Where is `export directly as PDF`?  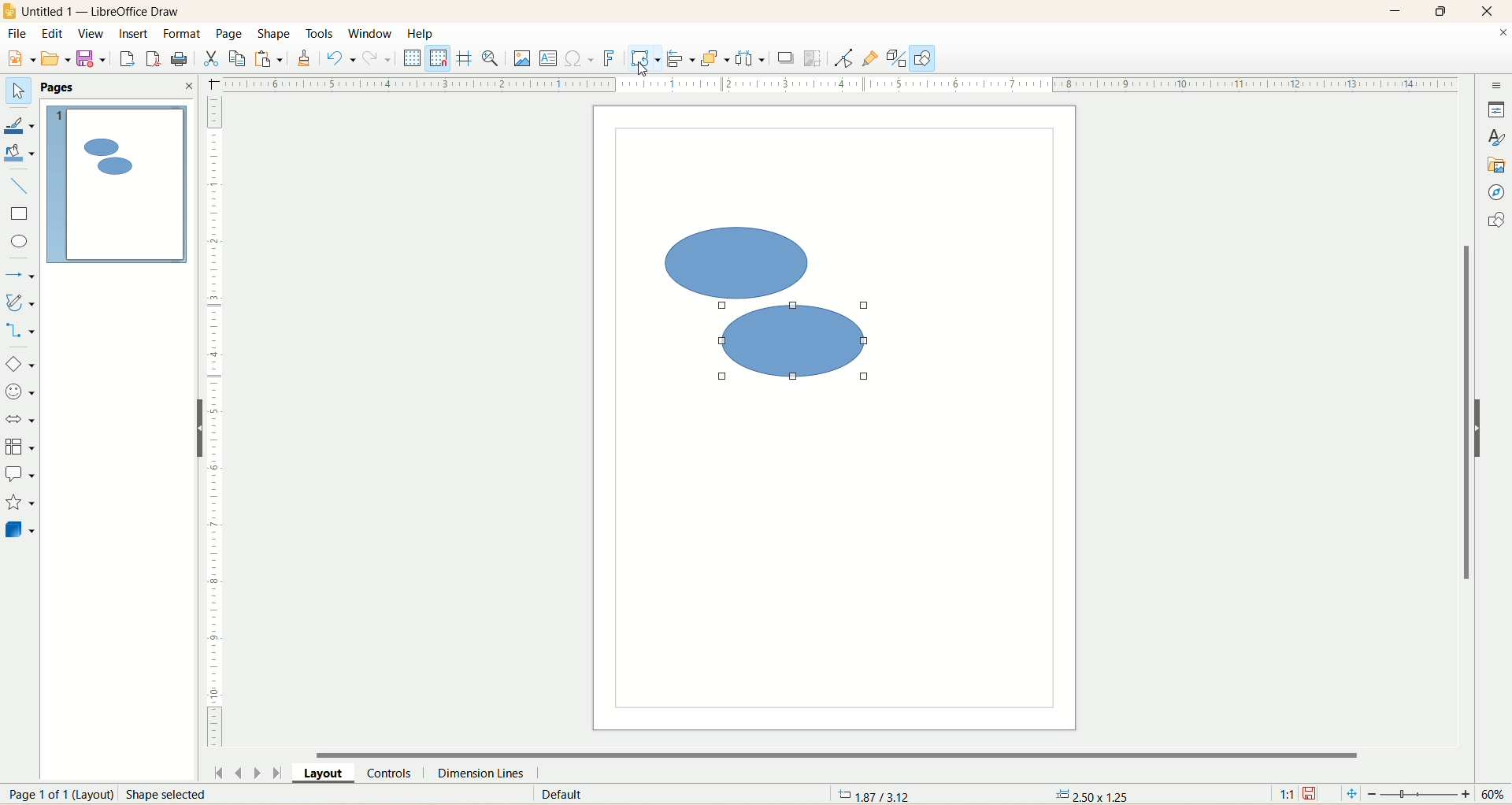 export directly as PDF is located at coordinates (154, 58).